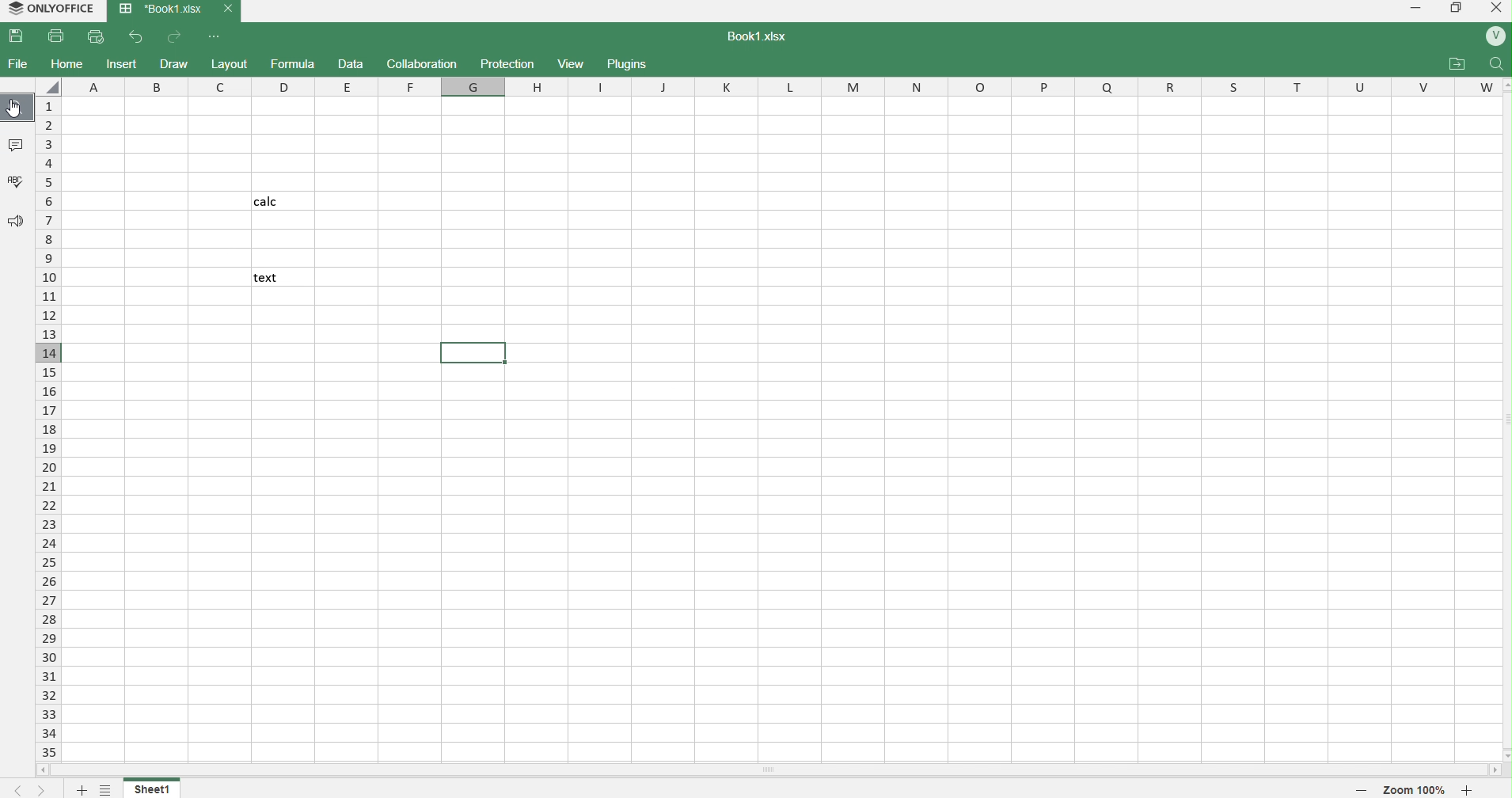 The image size is (1512, 798). What do you see at coordinates (107, 788) in the screenshot?
I see `settings` at bounding box center [107, 788].